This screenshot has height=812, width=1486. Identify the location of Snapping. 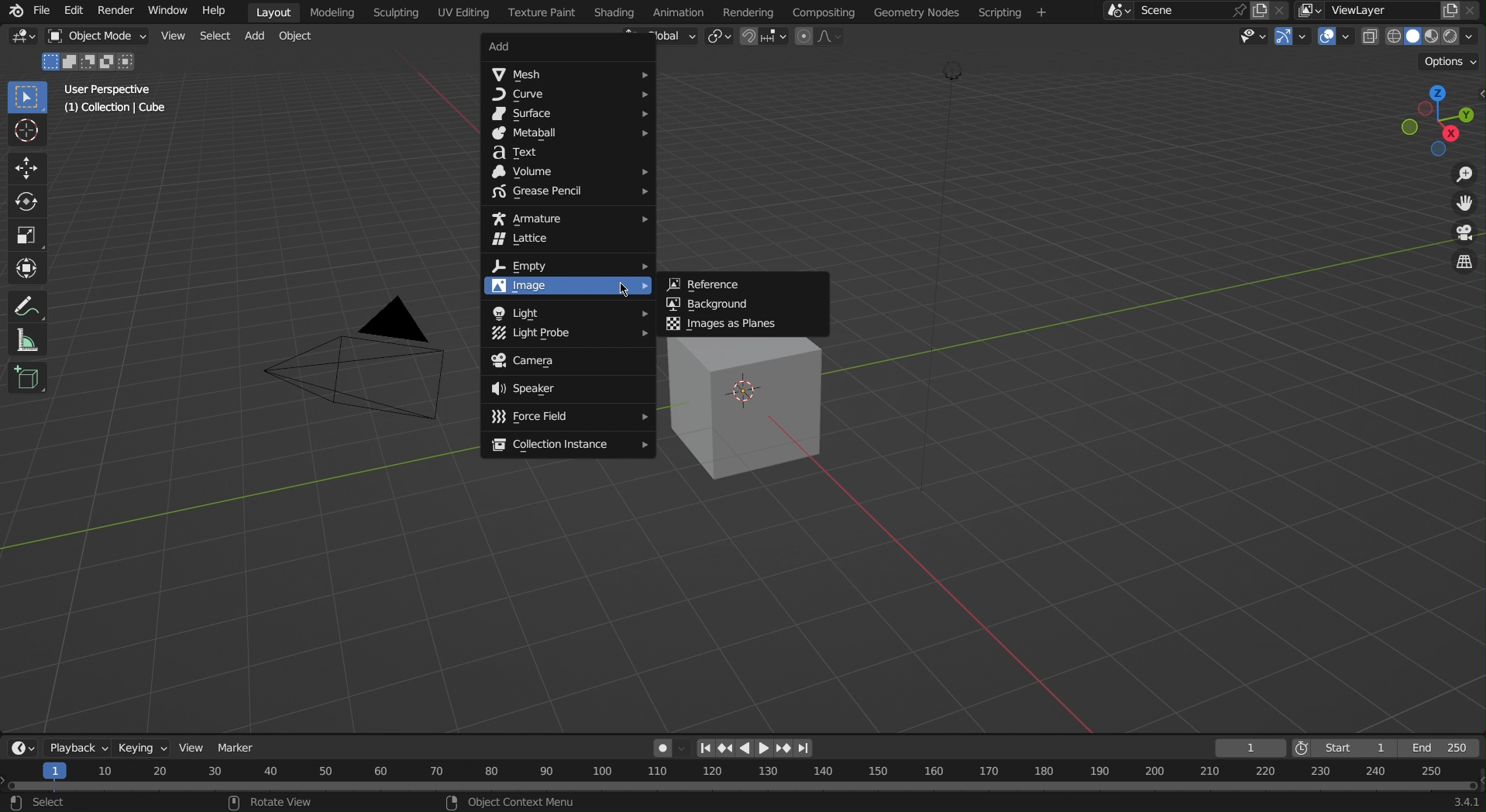
(764, 37).